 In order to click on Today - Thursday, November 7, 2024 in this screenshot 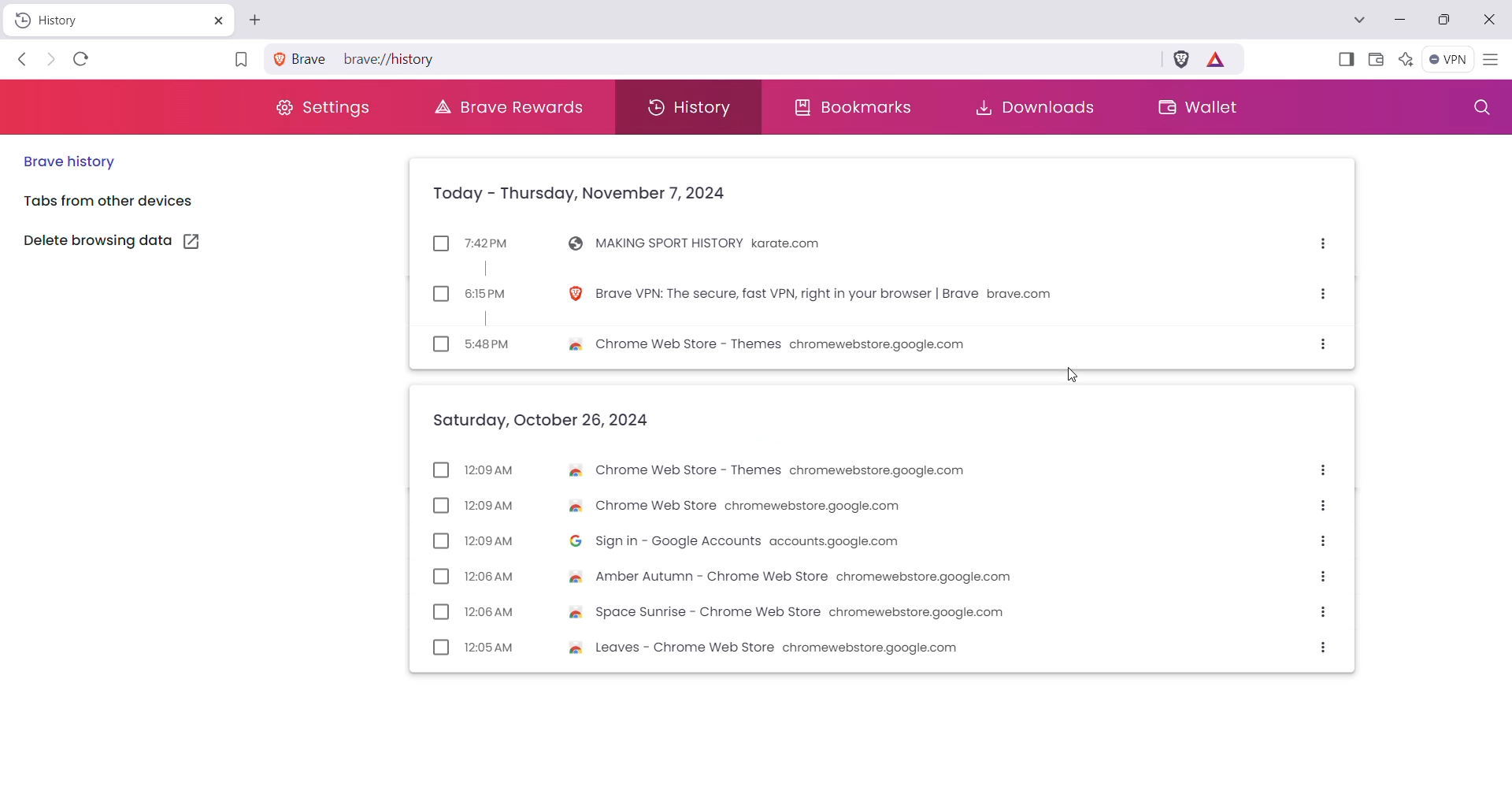, I will do `click(662, 190)`.